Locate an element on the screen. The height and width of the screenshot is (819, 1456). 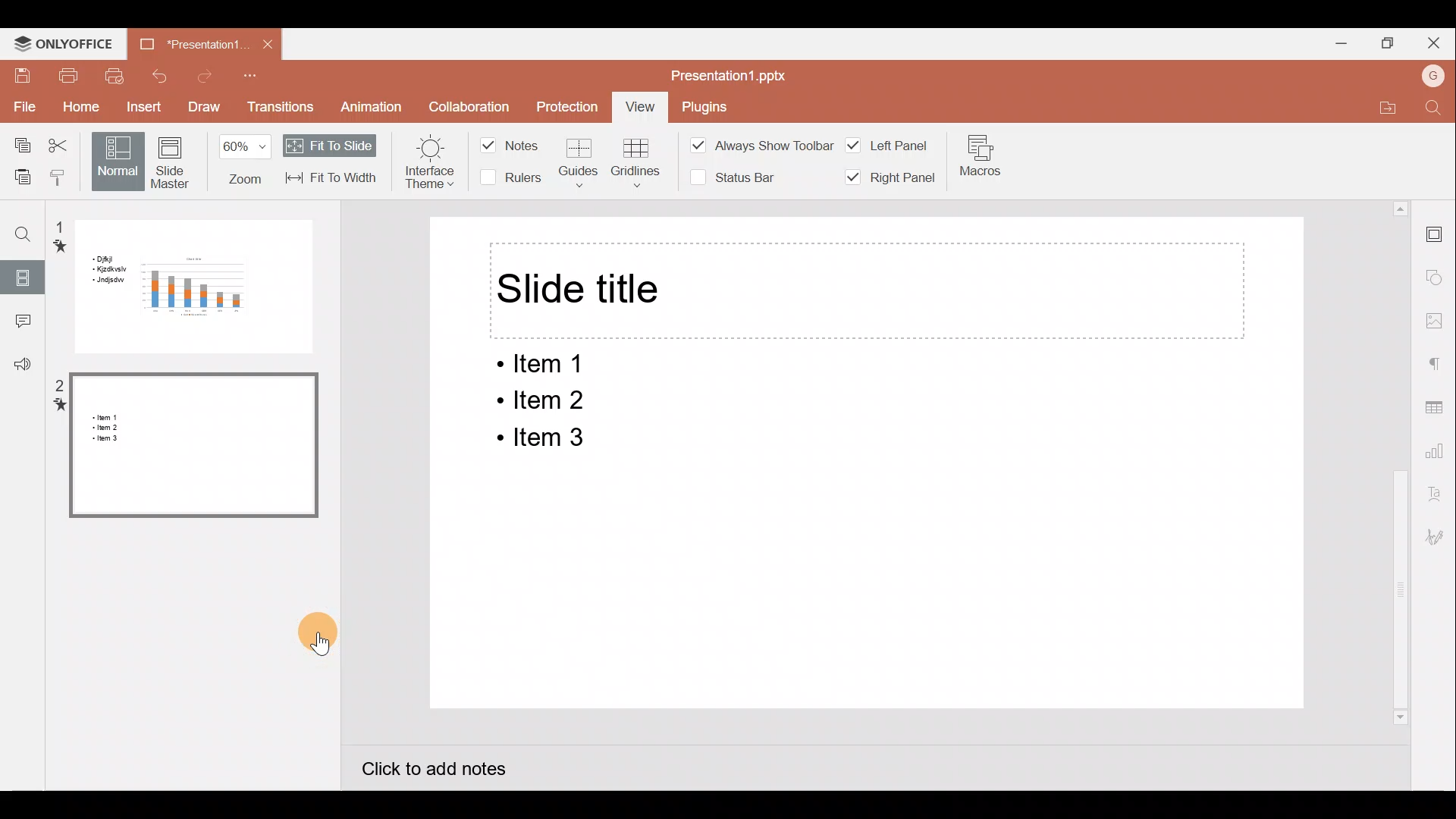
Close document is located at coordinates (268, 45).